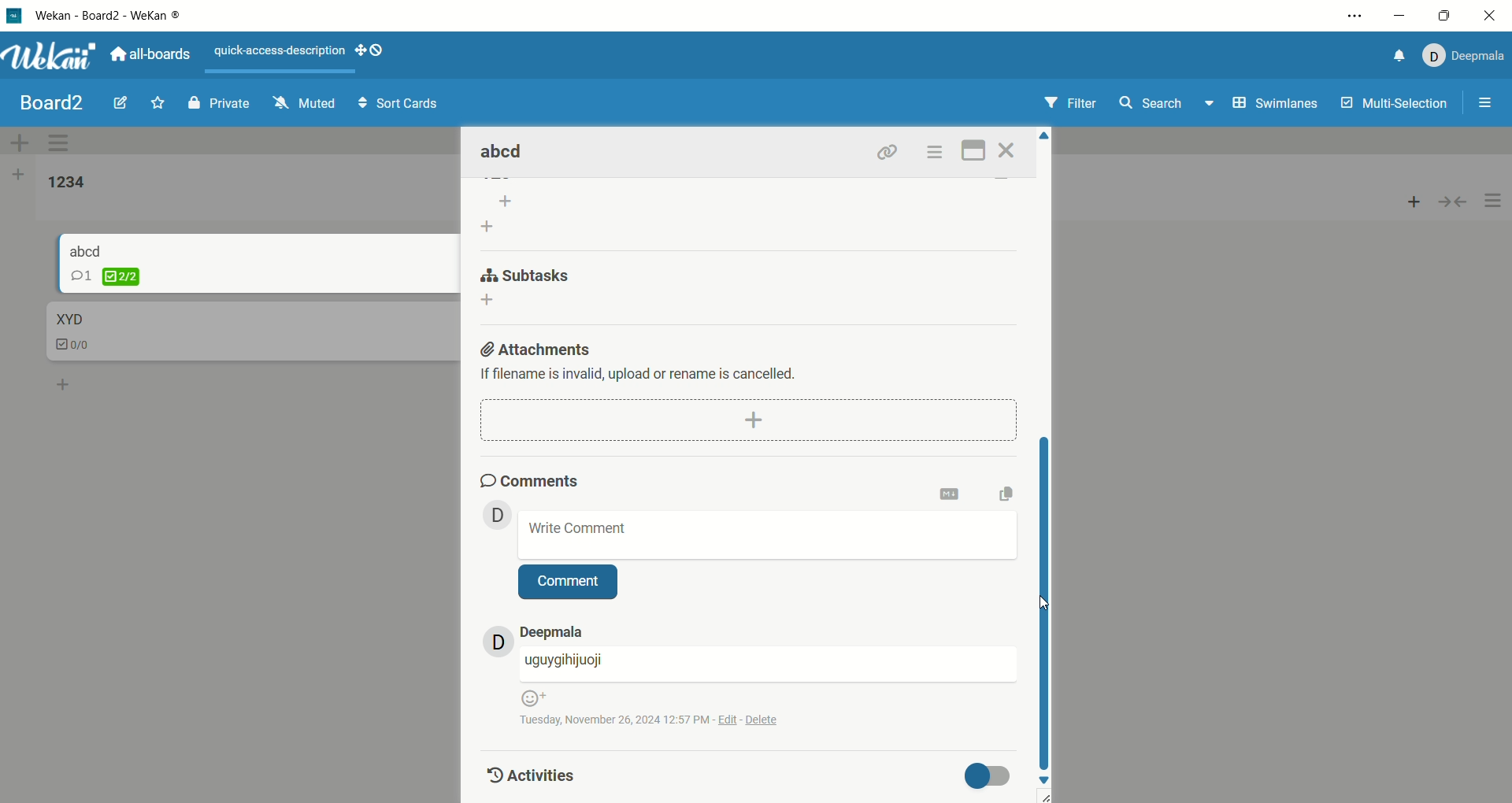  What do you see at coordinates (569, 583) in the screenshot?
I see `comment` at bounding box center [569, 583].